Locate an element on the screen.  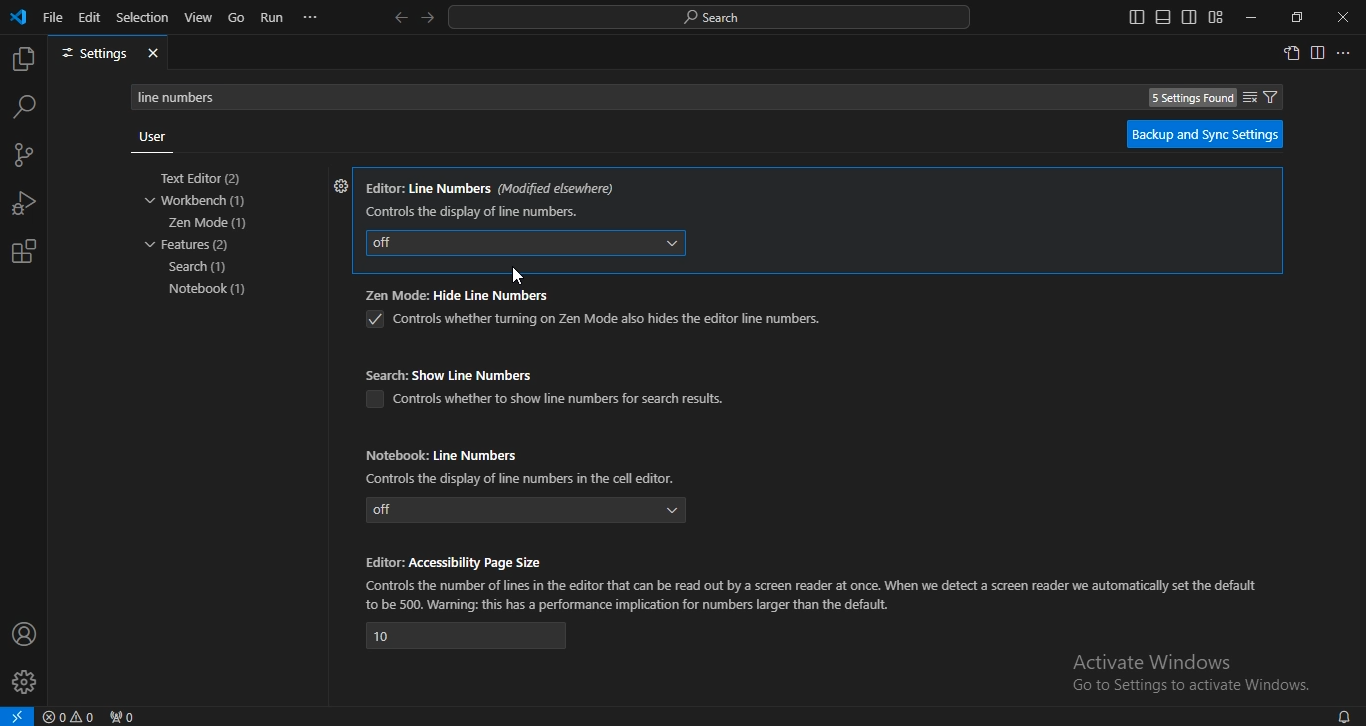
source control is located at coordinates (22, 157).